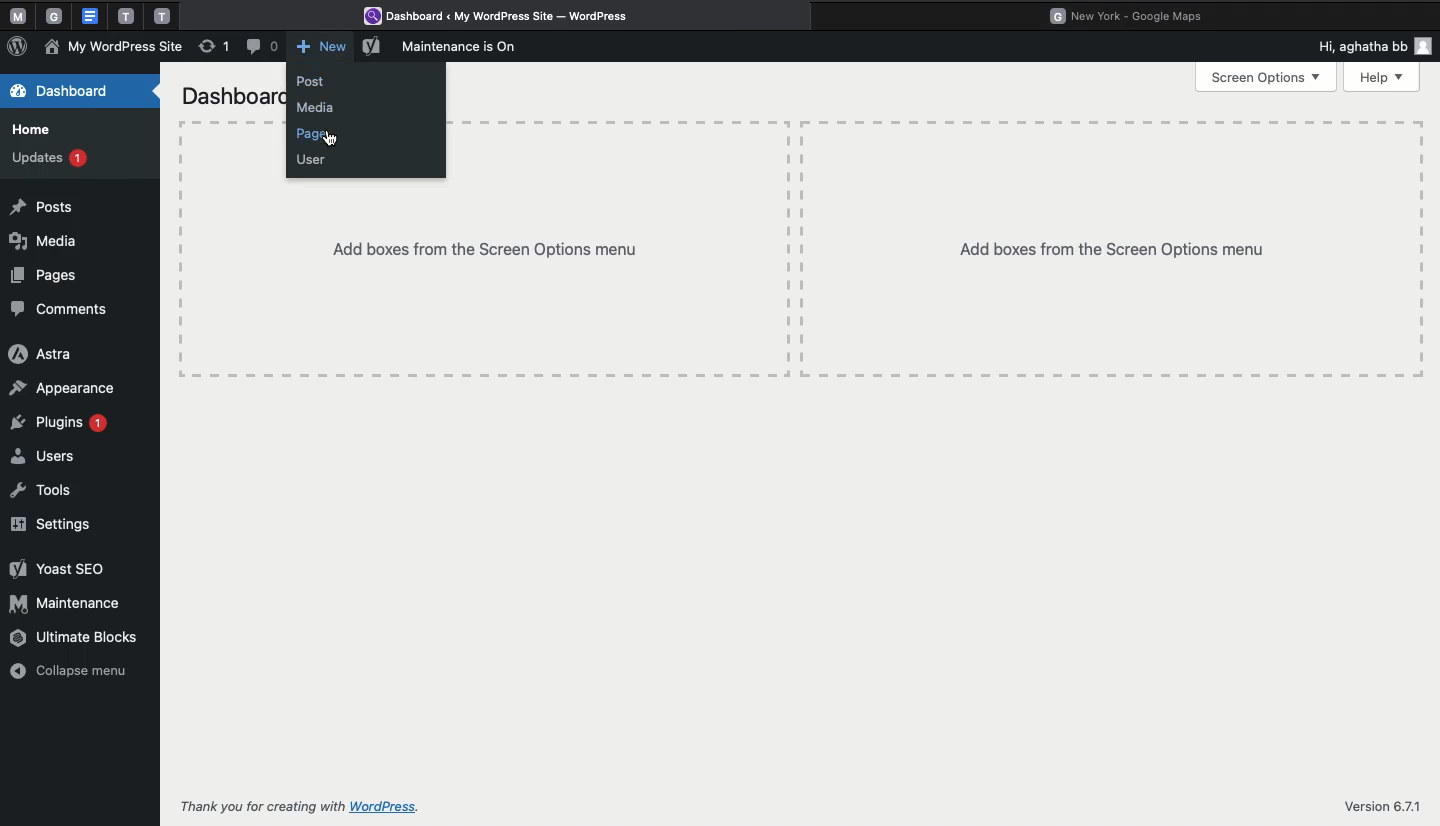  What do you see at coordinates (52, 277) in the screenshot?
I see `Pages` at bounding box center [52, 277].